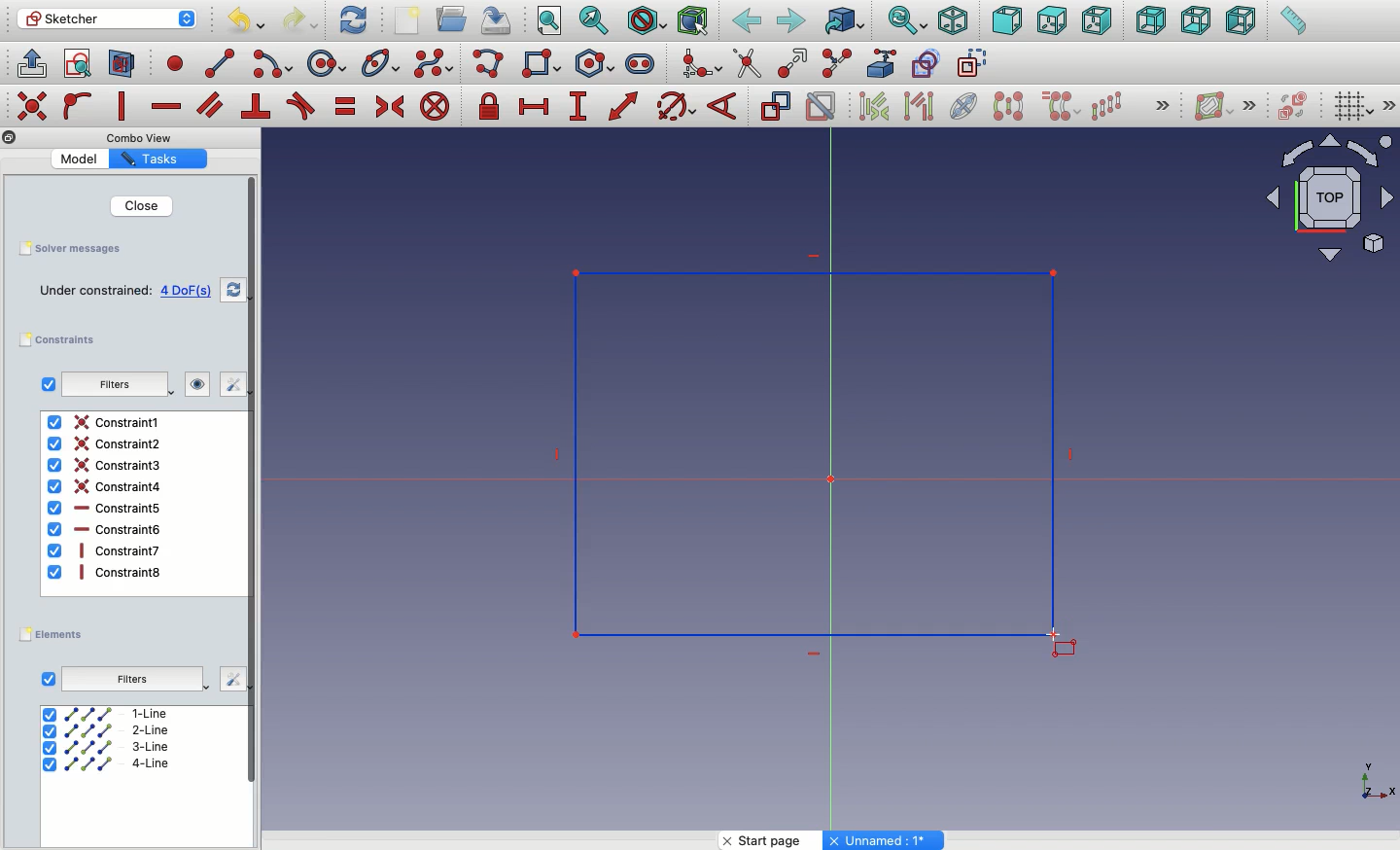 The height and width of the screenshot is (850, 1400). What do you see at coordinates (692, 21) in the screenshot?
I see `Bounding Box` at bounding box center [692, 21].